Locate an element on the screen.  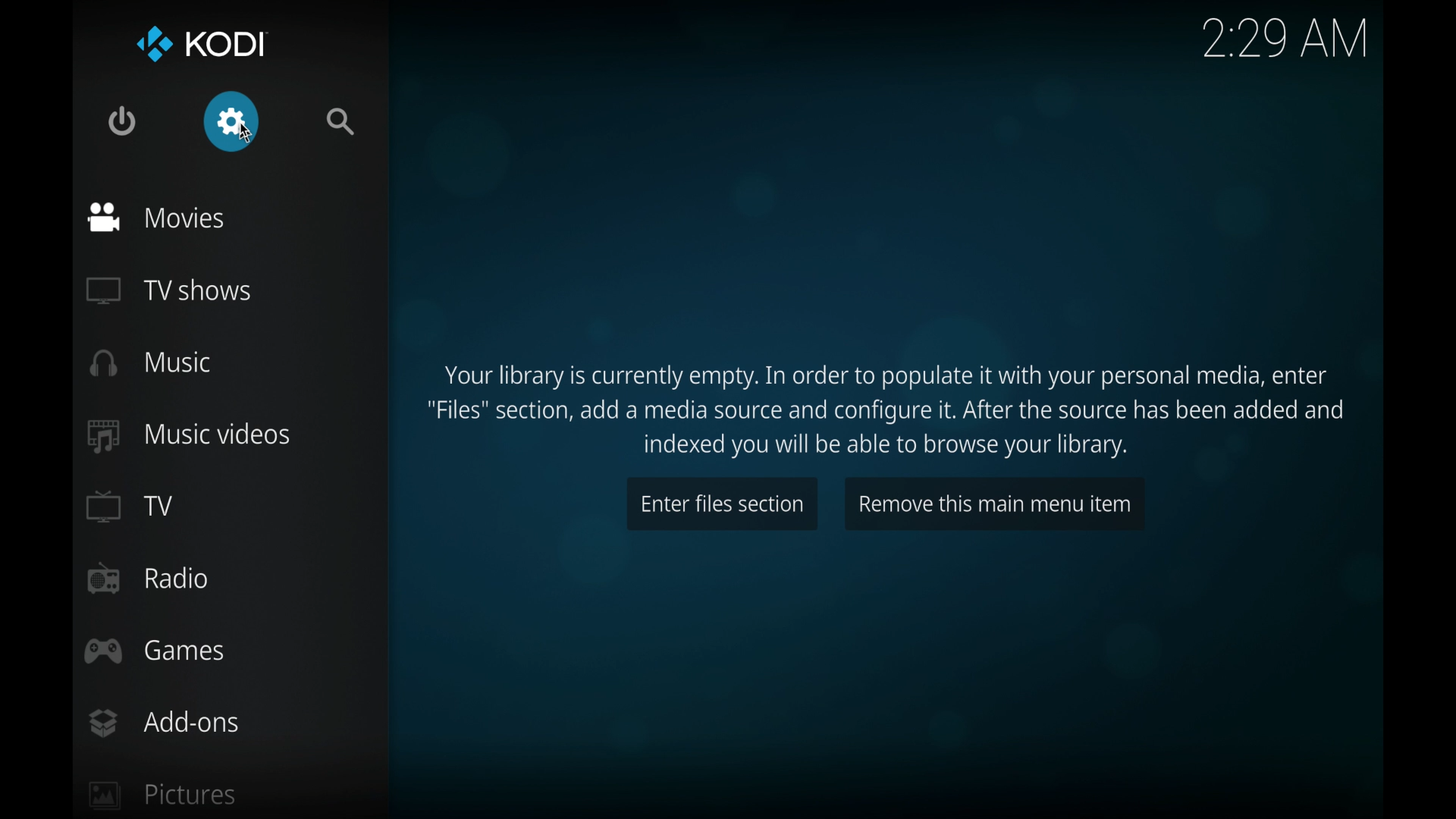
kodi logo is located at coordinates (154, 48).